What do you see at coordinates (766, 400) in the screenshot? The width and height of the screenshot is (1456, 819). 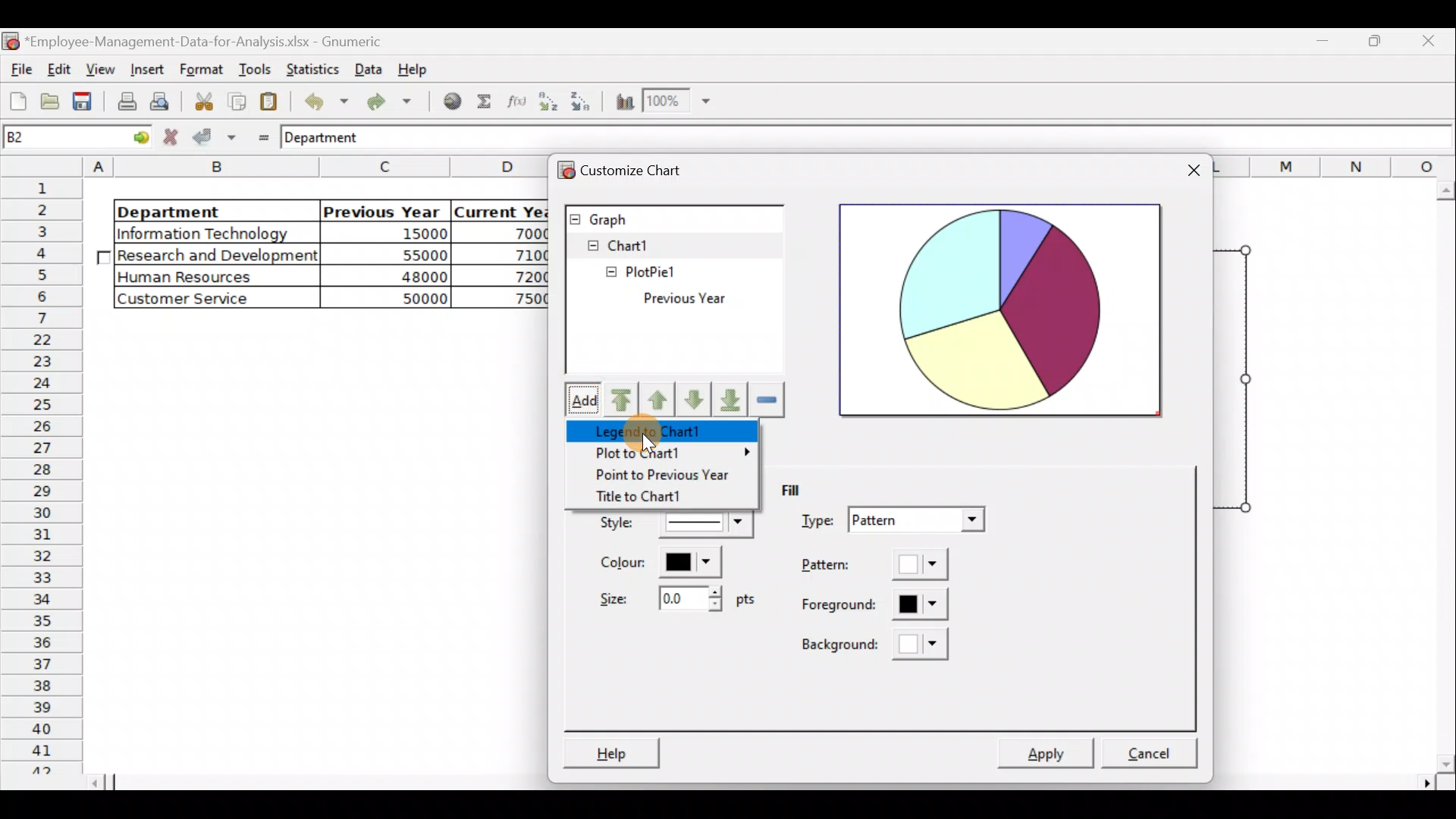 I see `Remove` at bounding box center [766, 400].